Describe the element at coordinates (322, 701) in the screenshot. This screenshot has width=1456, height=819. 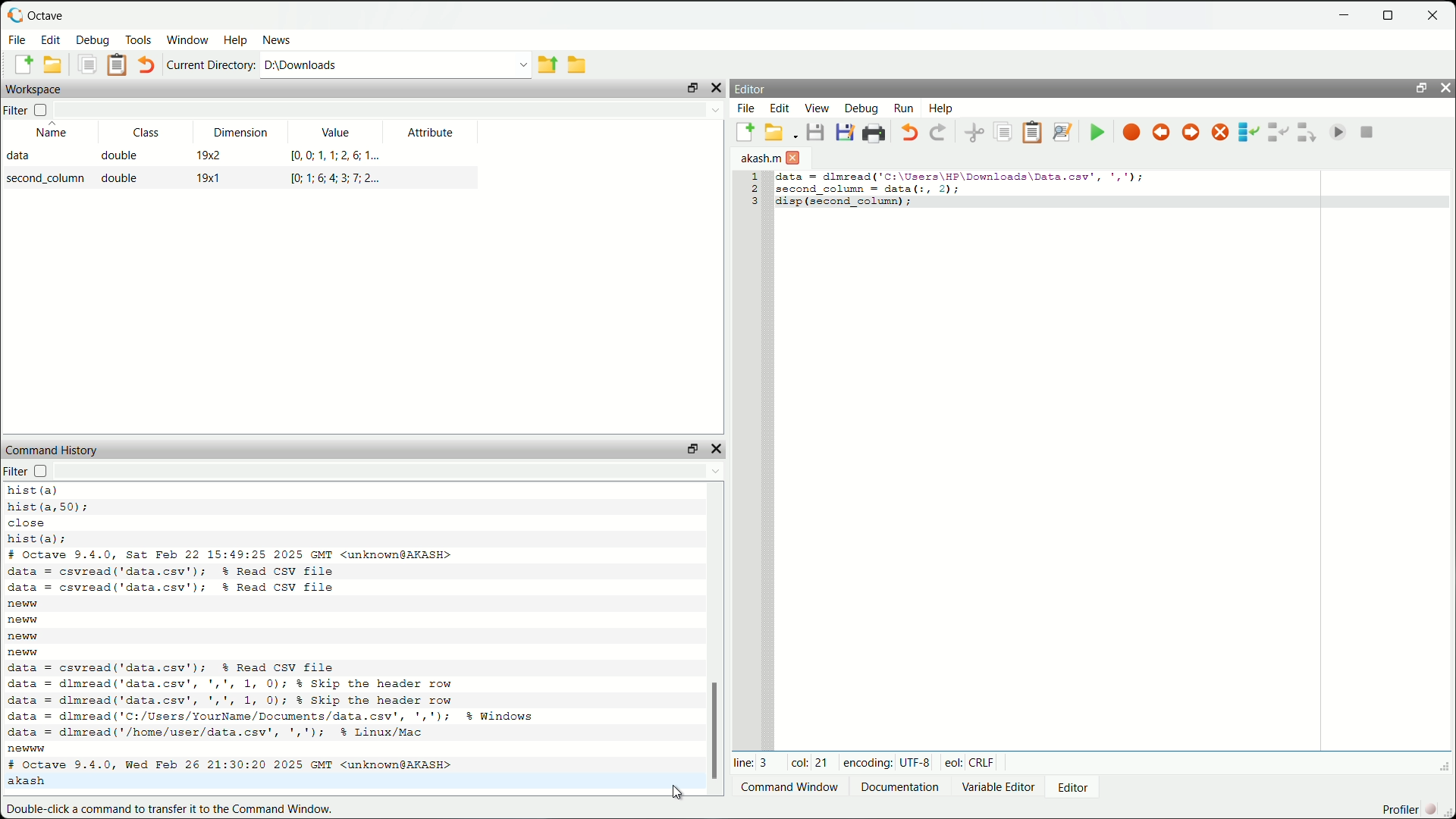
I see `code to read csv` at that location.